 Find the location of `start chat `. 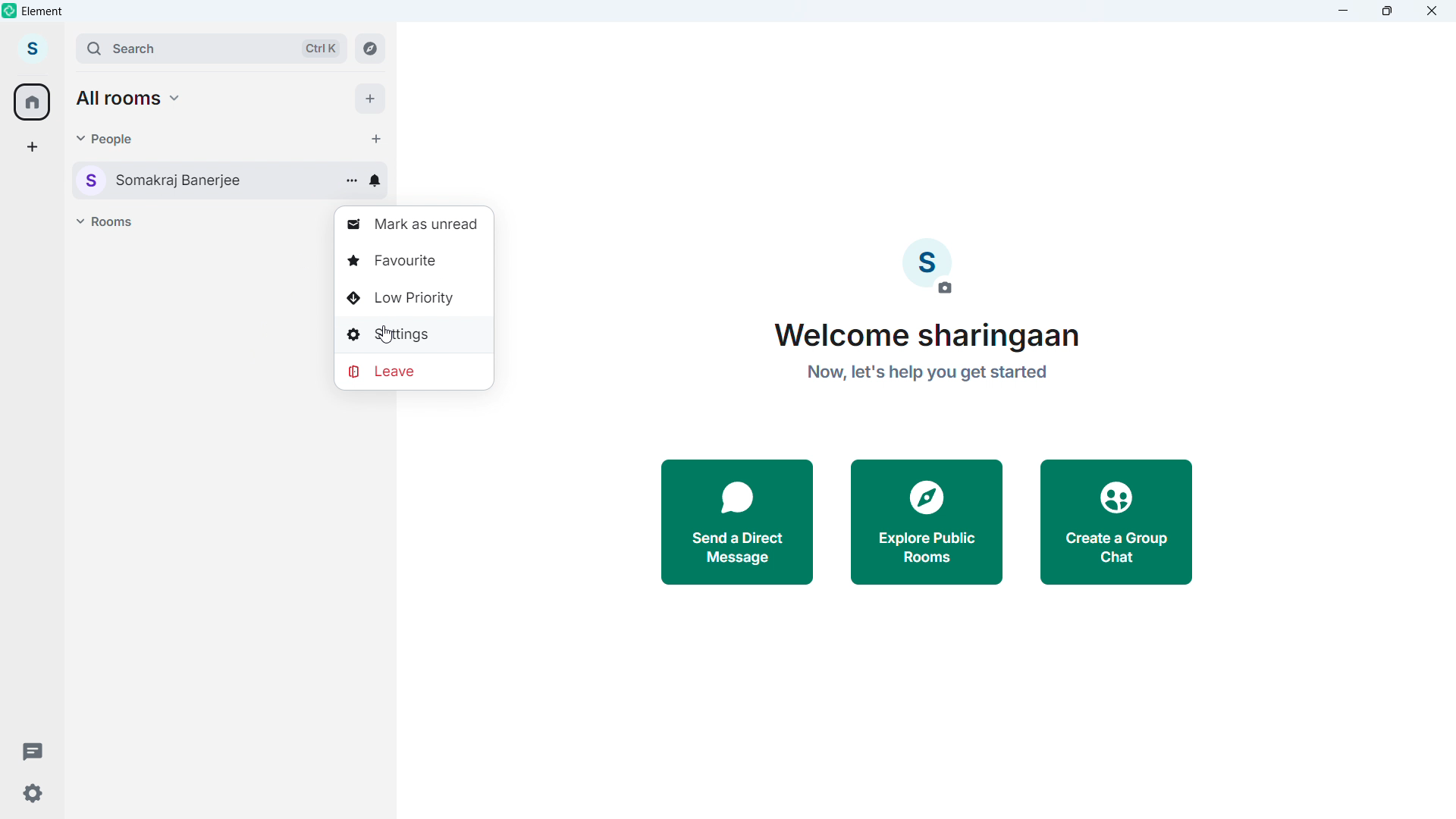

start chat  is located at coordinates (375, 139).